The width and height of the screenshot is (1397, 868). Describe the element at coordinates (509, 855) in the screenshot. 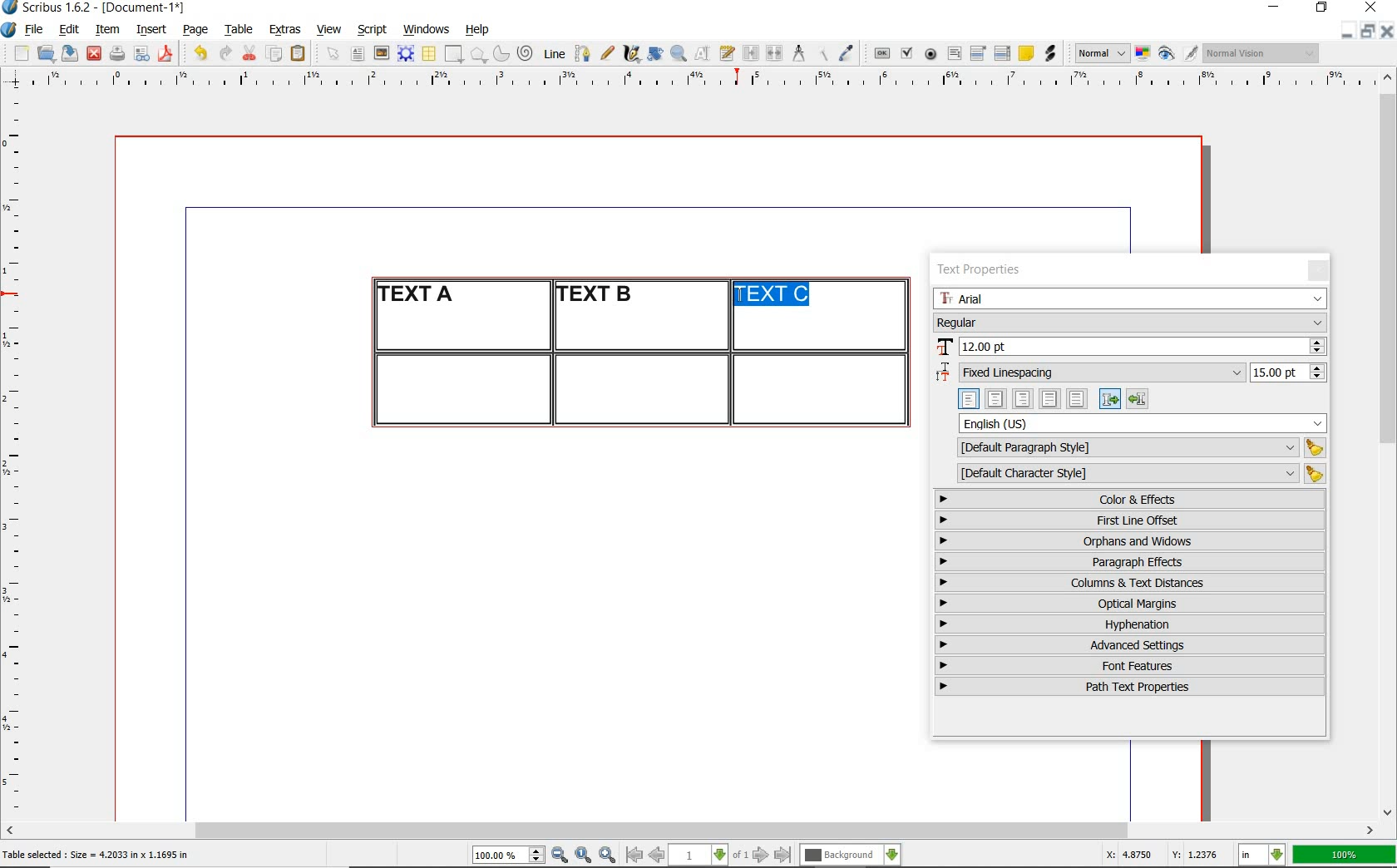

I see `select current zoom level` at that location.